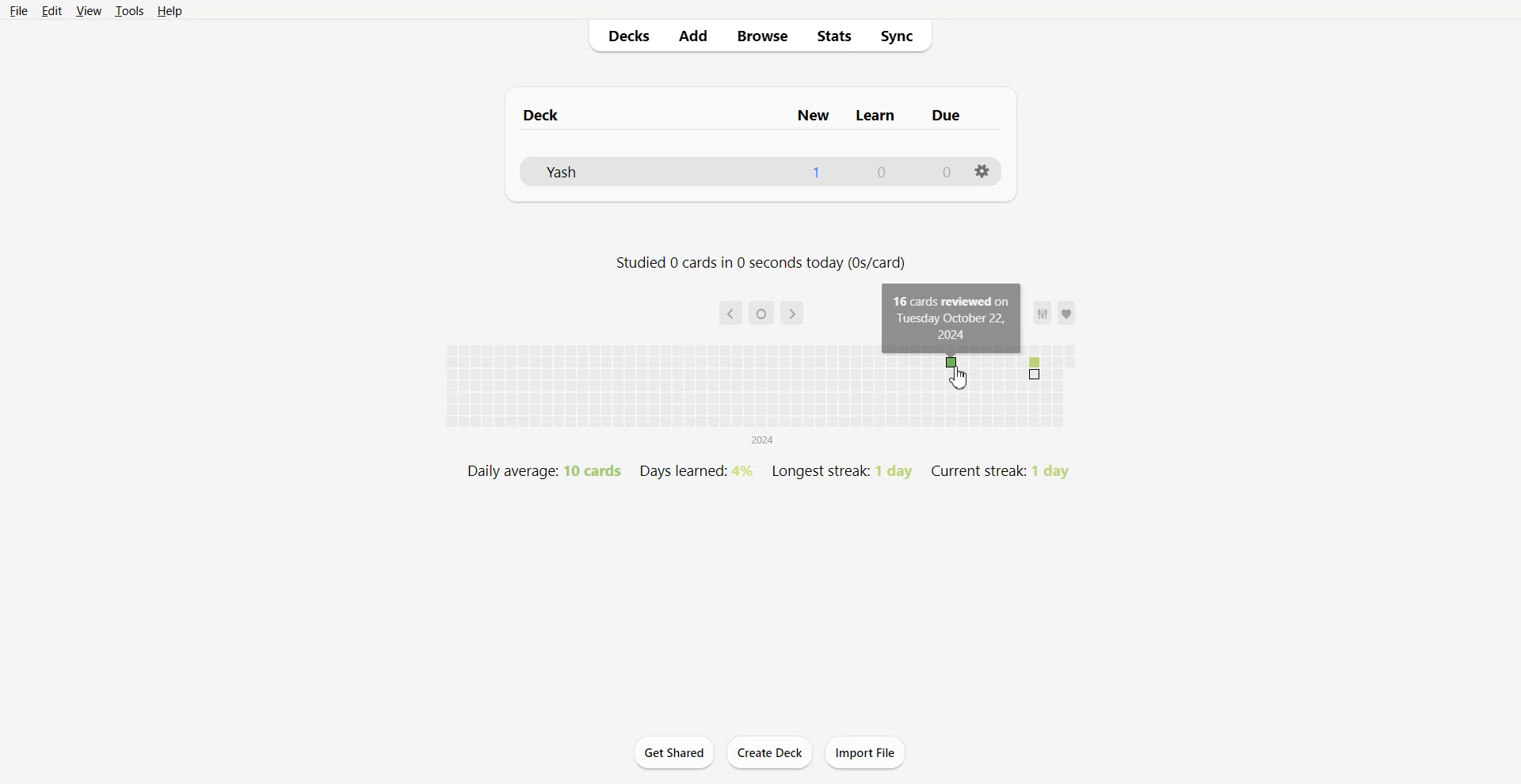  What do you see at coordinates (867, 752) in the screenshot?
I see `Import File` at bounding box center [867, 752].